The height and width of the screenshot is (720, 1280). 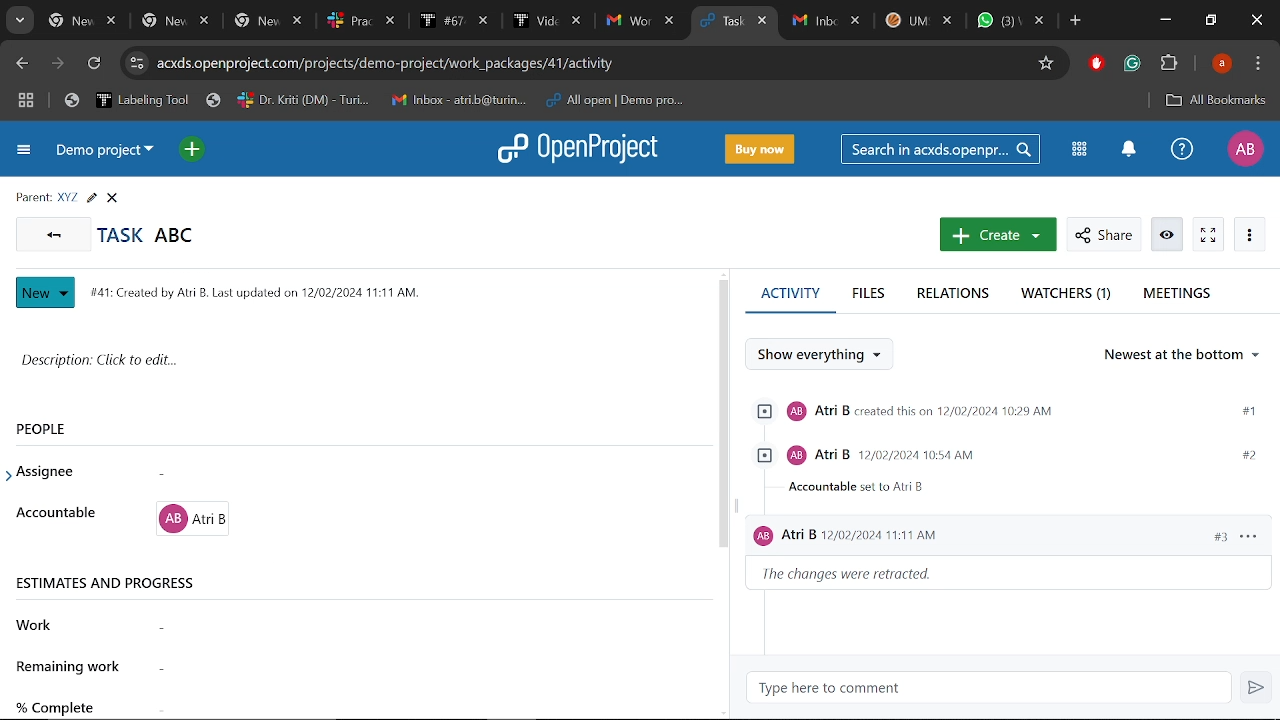 I want to click on Adblock, so click(x=1095, y=65).